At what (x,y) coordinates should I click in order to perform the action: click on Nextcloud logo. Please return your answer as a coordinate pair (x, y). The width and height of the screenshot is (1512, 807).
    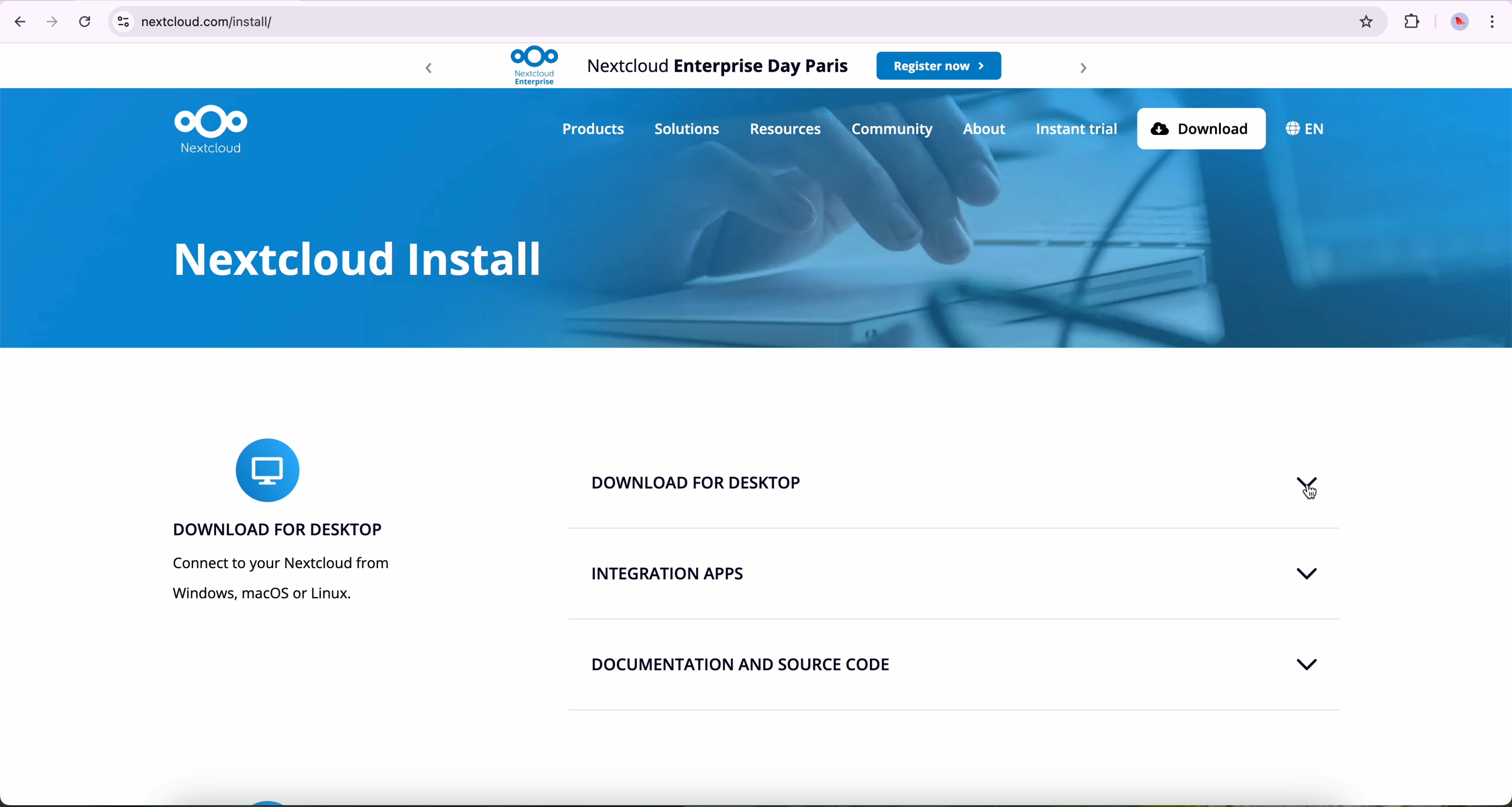
    Looking at the image, I should click on (212, 127).